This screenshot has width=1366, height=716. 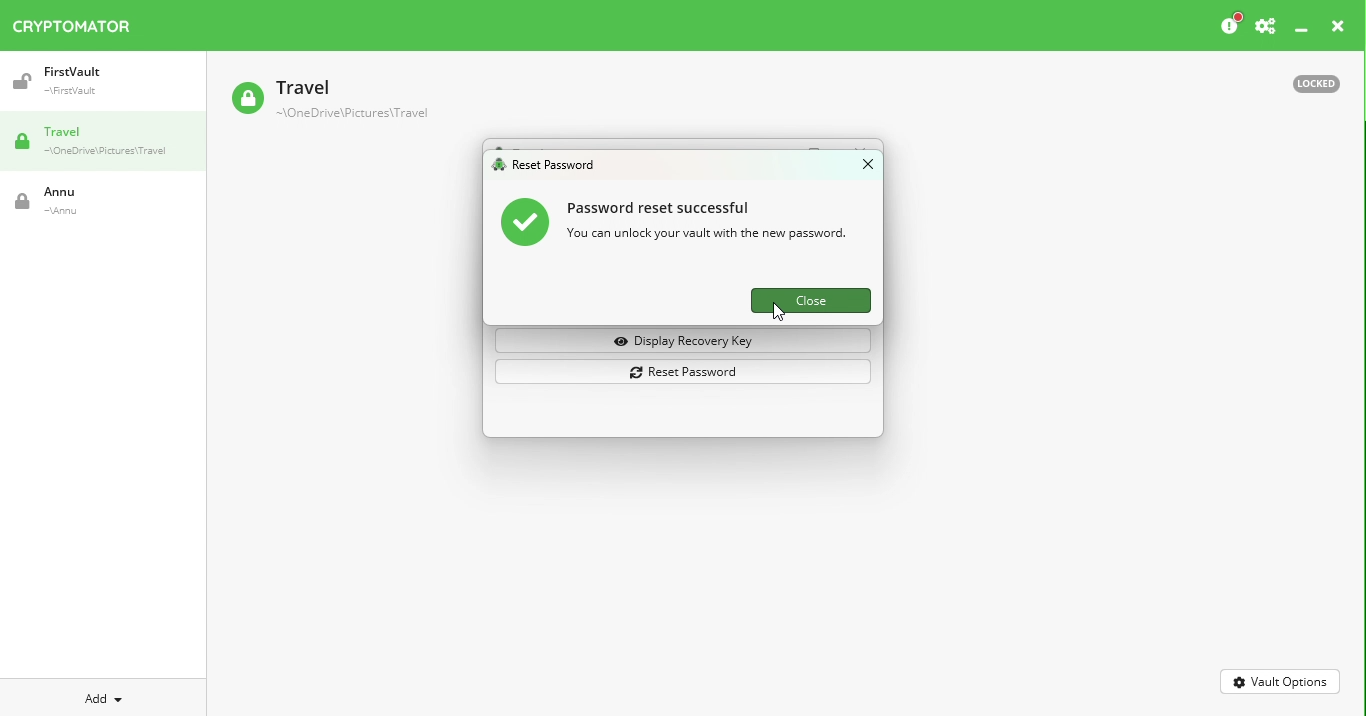 I want to click on Preferences, so click(x=1265, y=27).